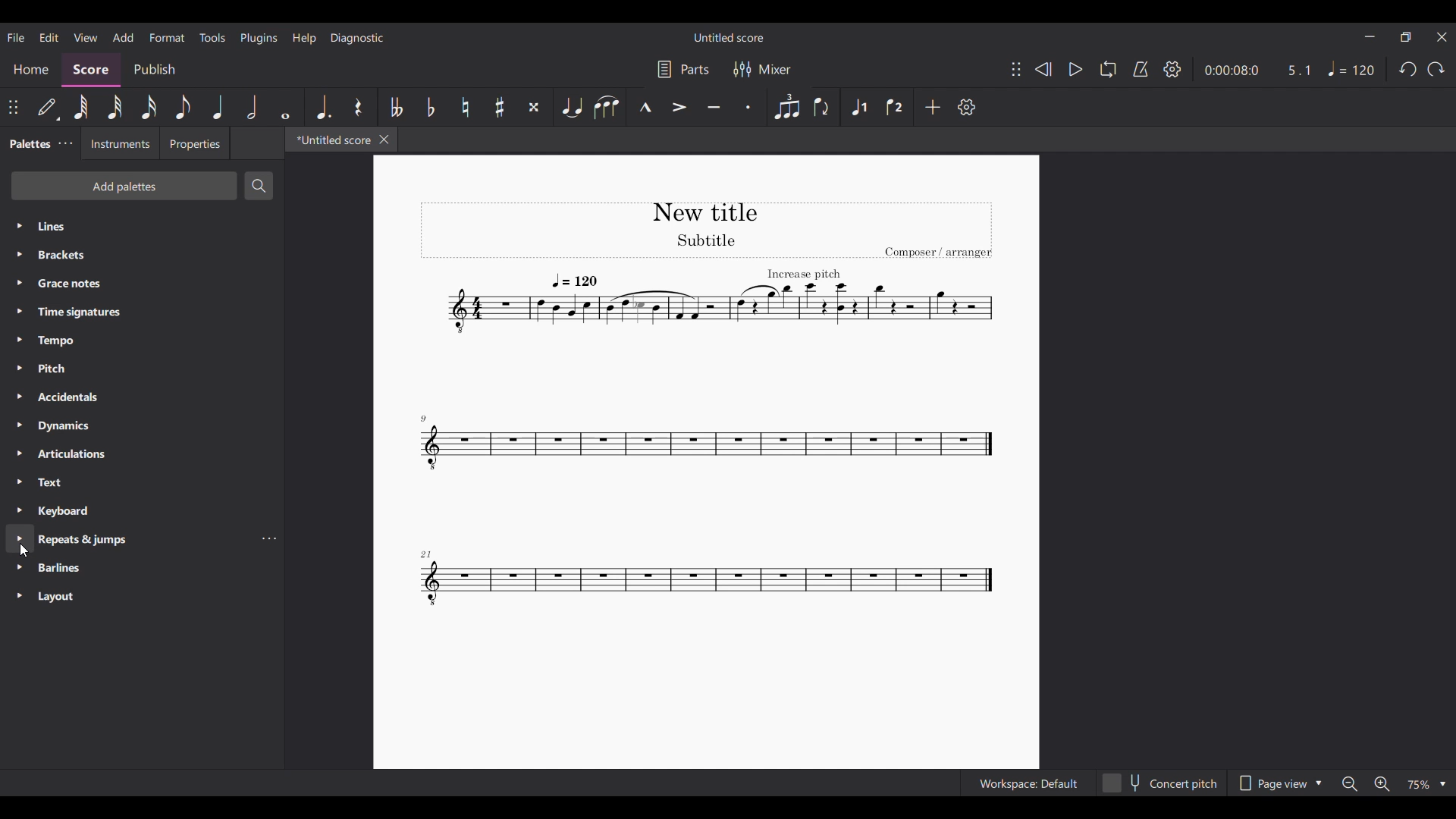 This screenshot has height=819, width=1456. I want to click on Current score, so click(705, 407).